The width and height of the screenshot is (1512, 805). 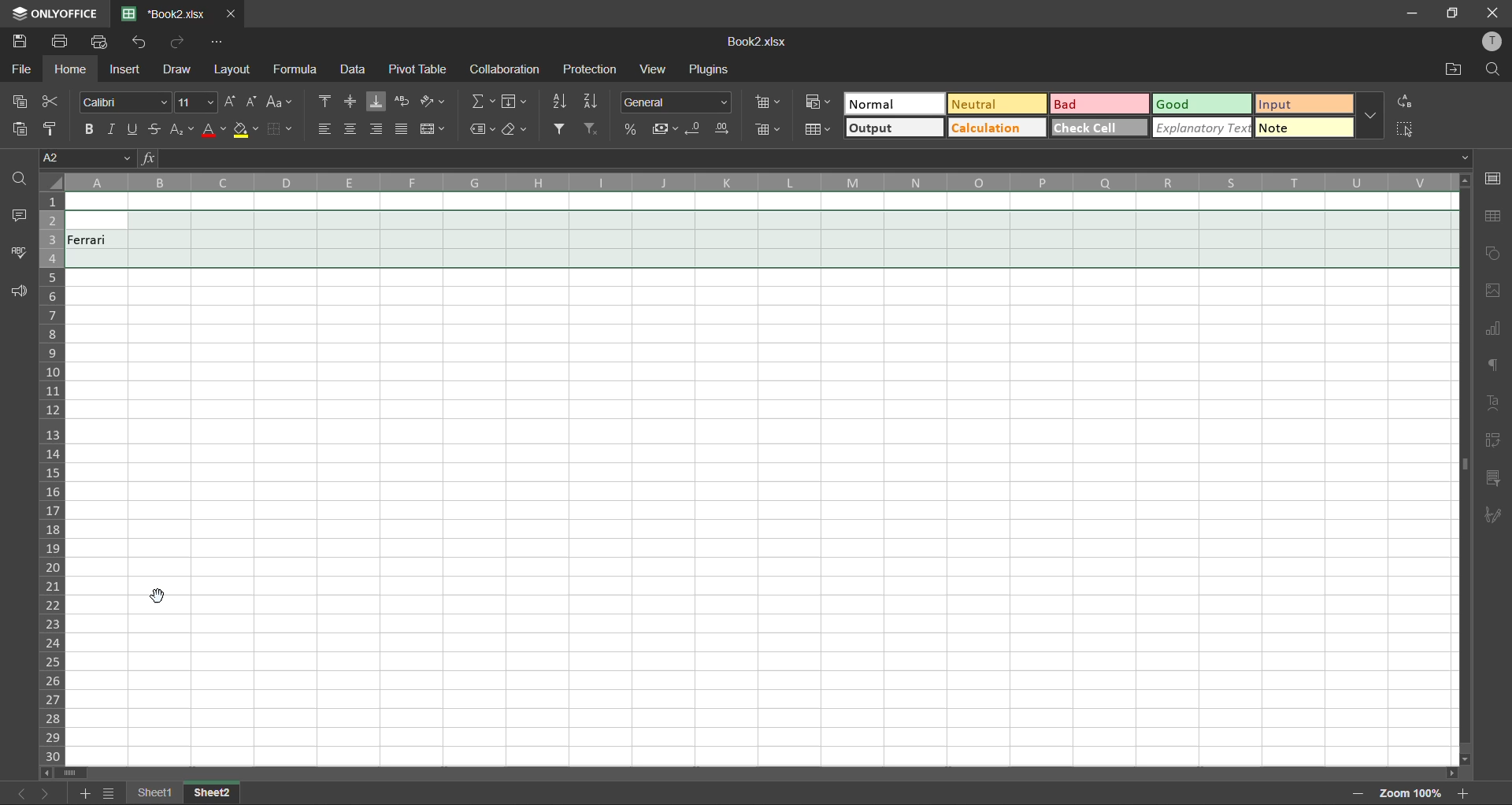 I want to click on formula, so click(x=299, y=72).